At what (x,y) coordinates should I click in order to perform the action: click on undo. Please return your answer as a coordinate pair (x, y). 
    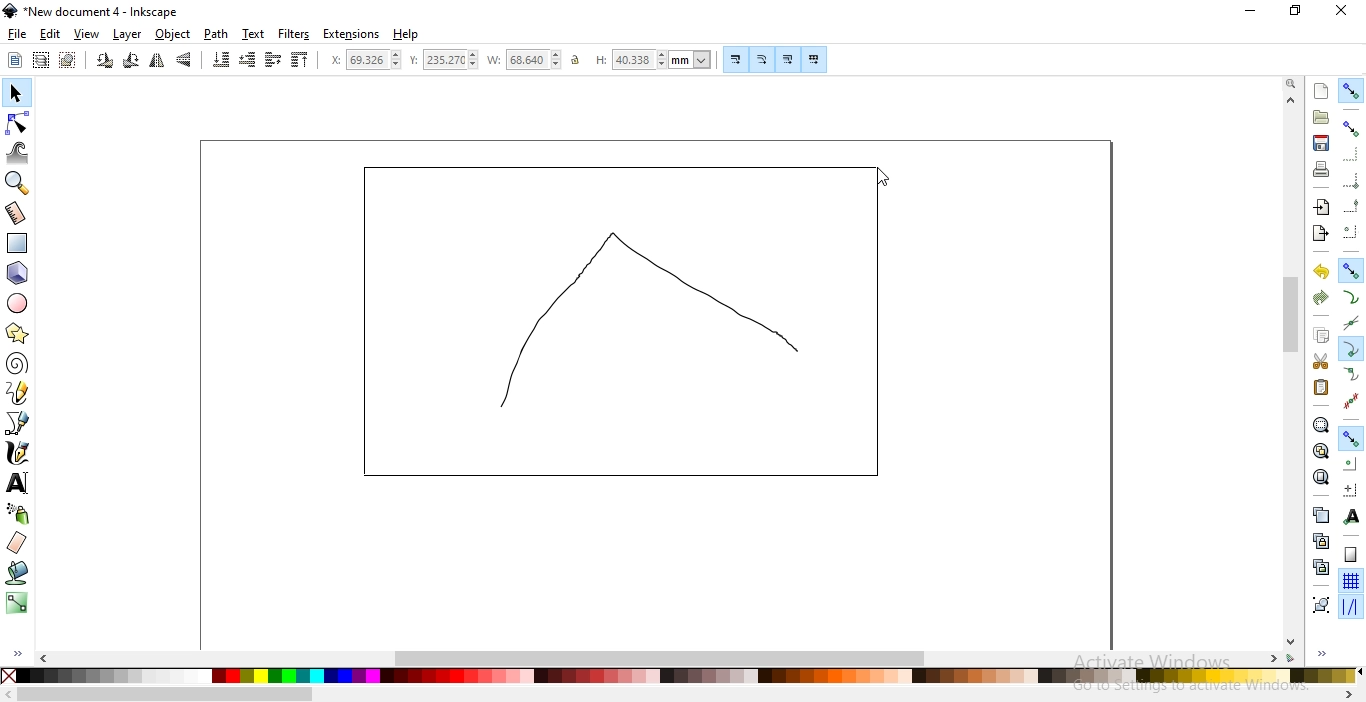
    Looking at the image, I should click on (1320, 270).